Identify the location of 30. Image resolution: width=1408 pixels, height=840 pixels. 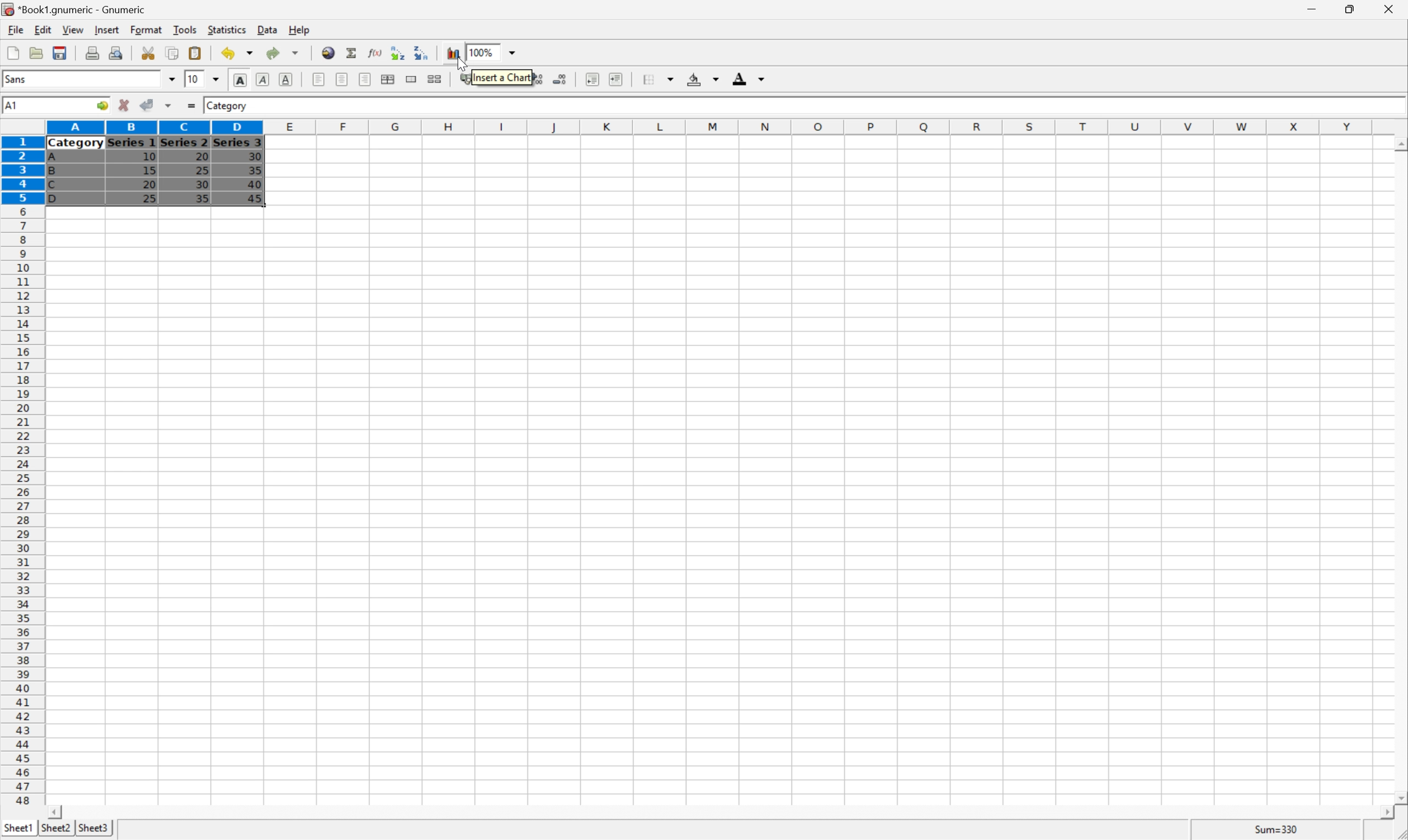
(203, 186).